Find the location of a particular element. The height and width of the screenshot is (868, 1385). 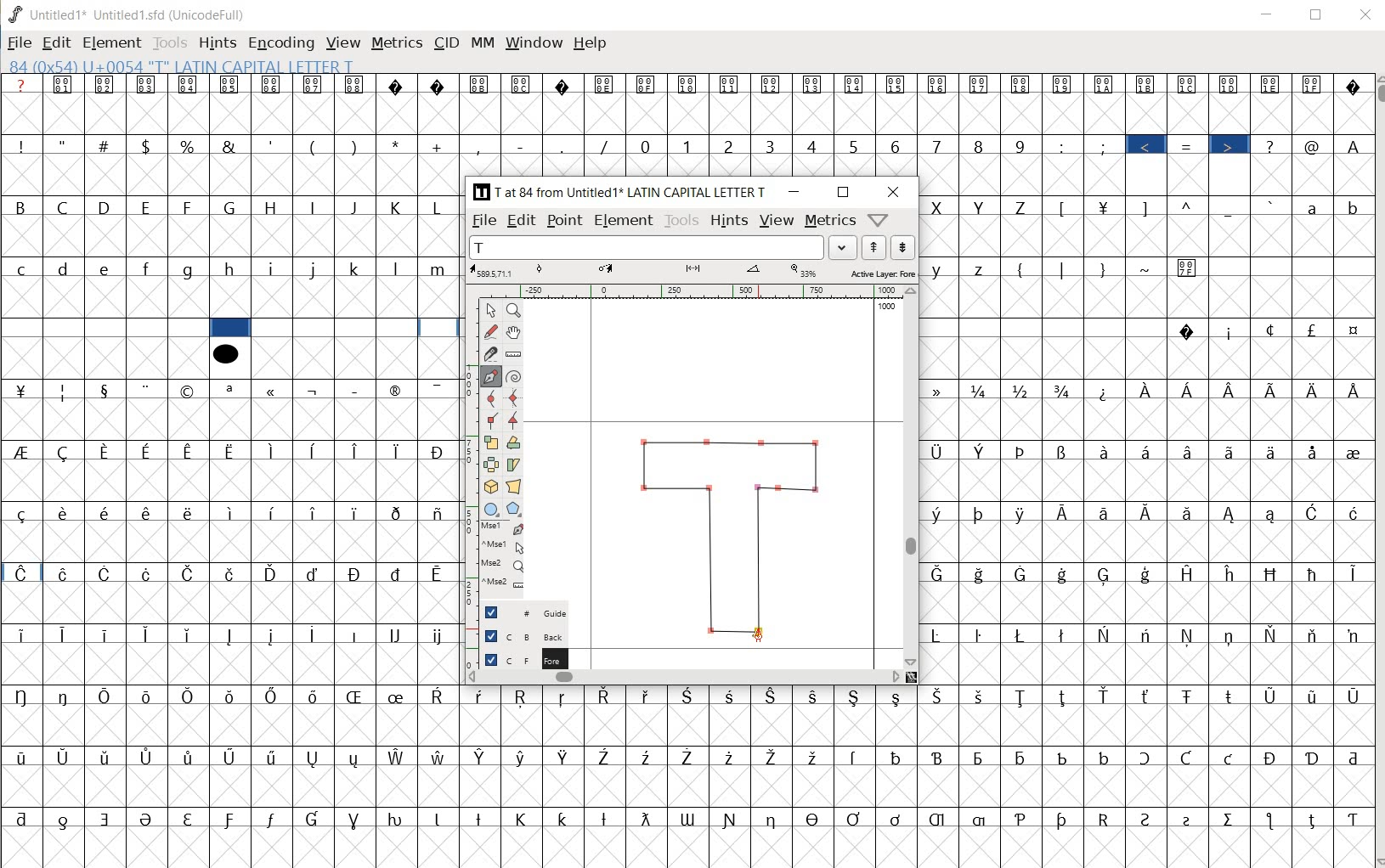

Symbol is located at coordinates (1230, 759).